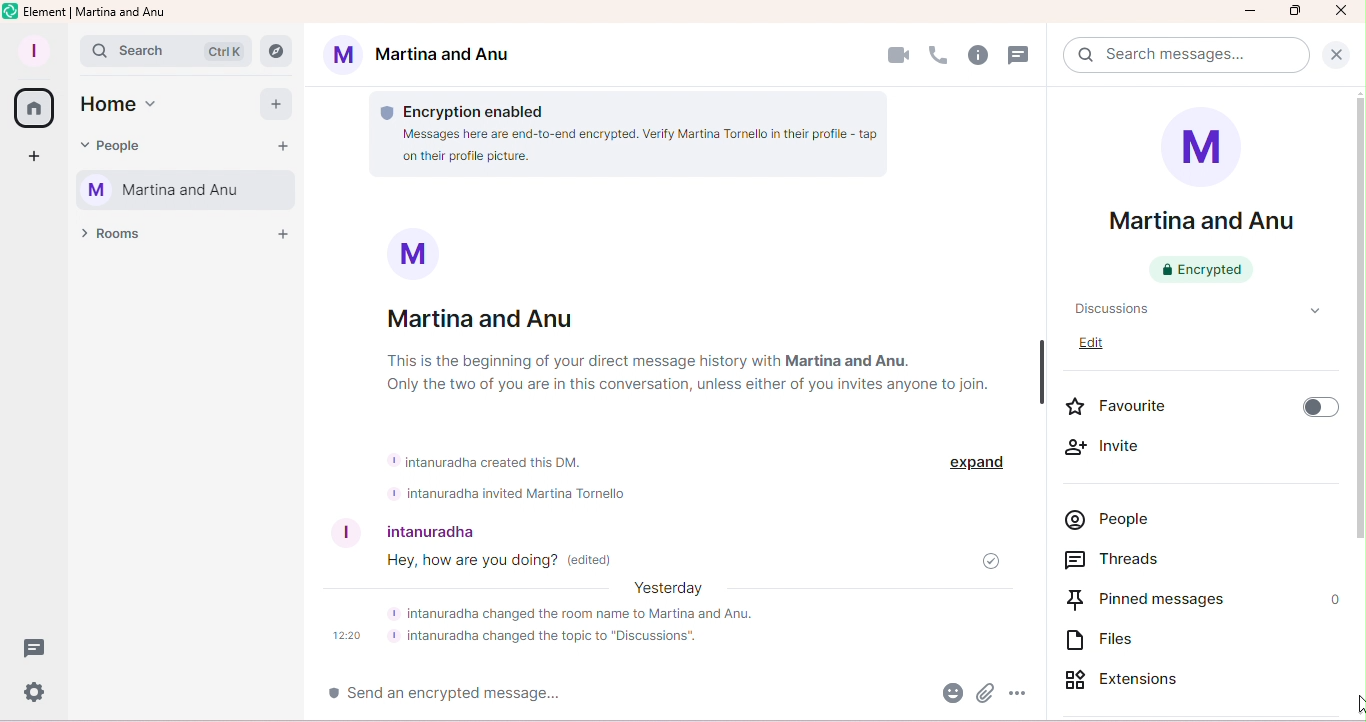 The height and width of the screenshot is (722, 1366). I want to click on User, so click(489, 528).